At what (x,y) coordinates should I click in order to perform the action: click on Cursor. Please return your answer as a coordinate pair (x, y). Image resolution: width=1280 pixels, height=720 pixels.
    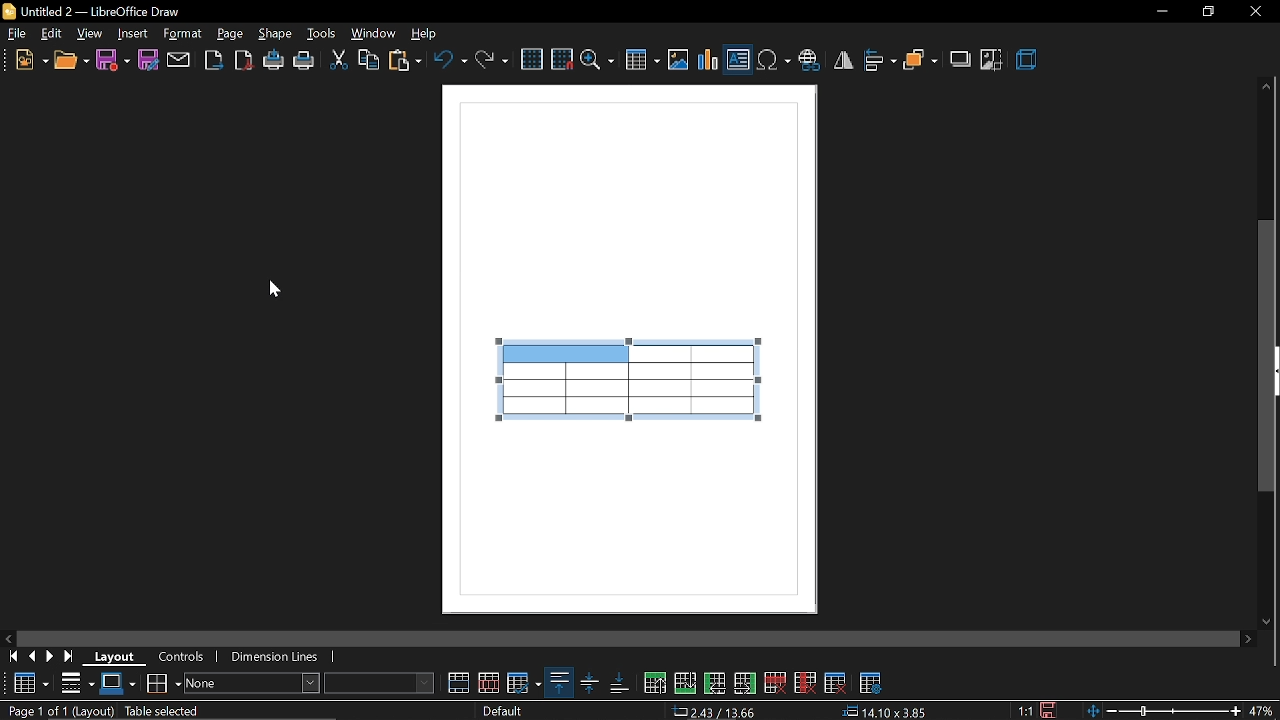
    Looking at the image, I should click on (281, 294).